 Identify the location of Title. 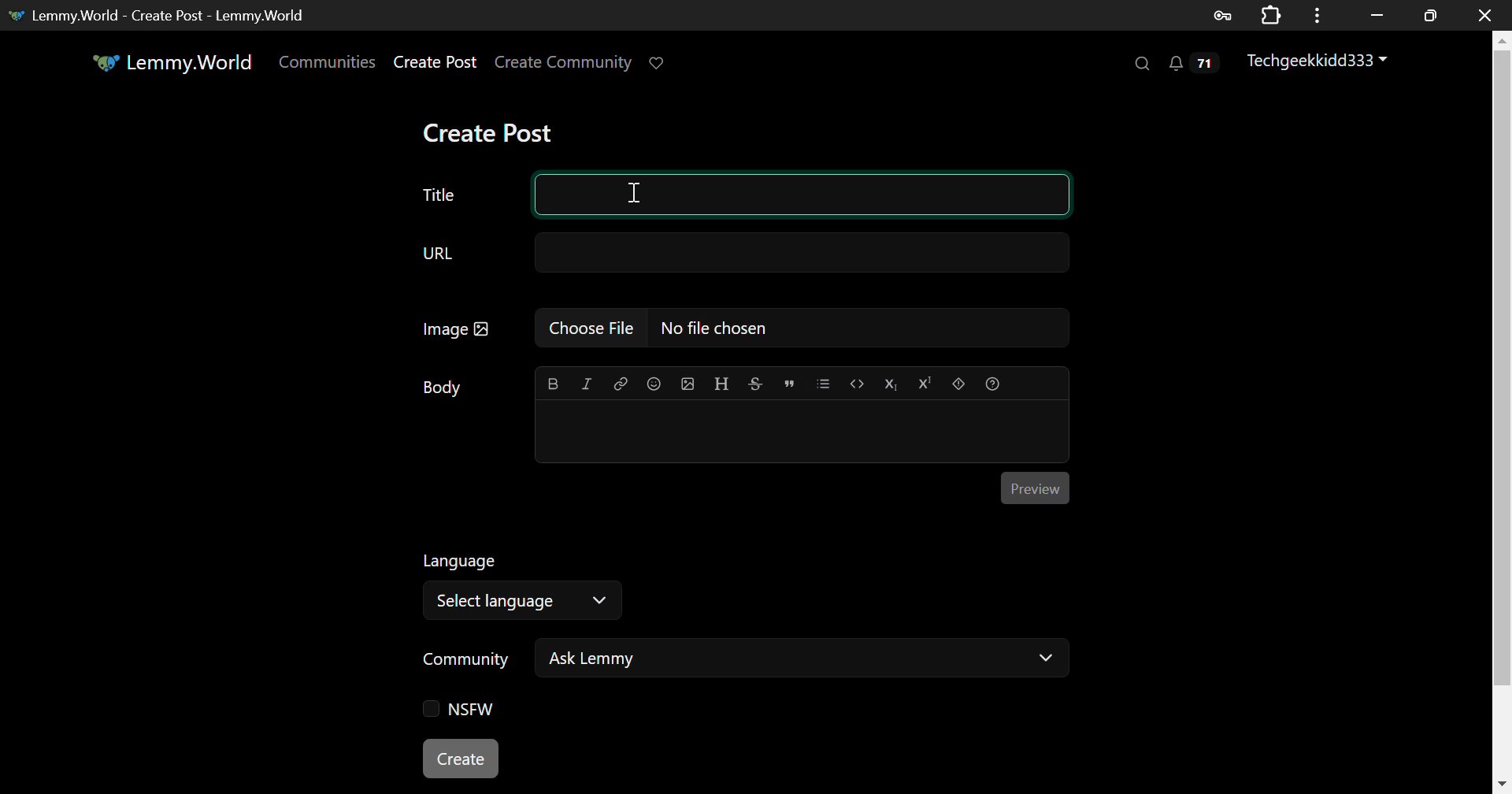
(438, 195).